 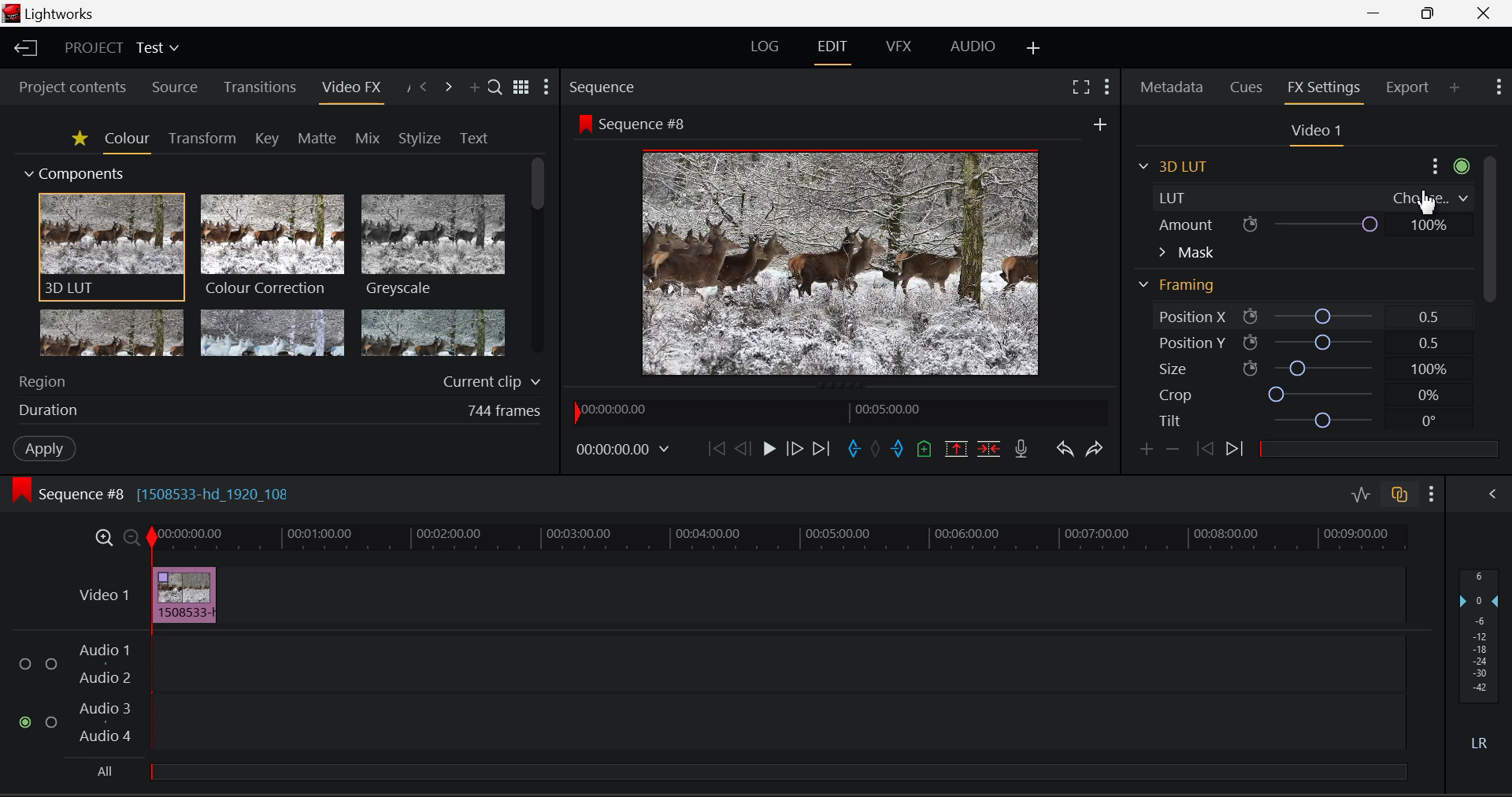 What do you see at coordinates (109, 247) in the screenshot?
I see `3D LUT` at bounding box center [109, 247].